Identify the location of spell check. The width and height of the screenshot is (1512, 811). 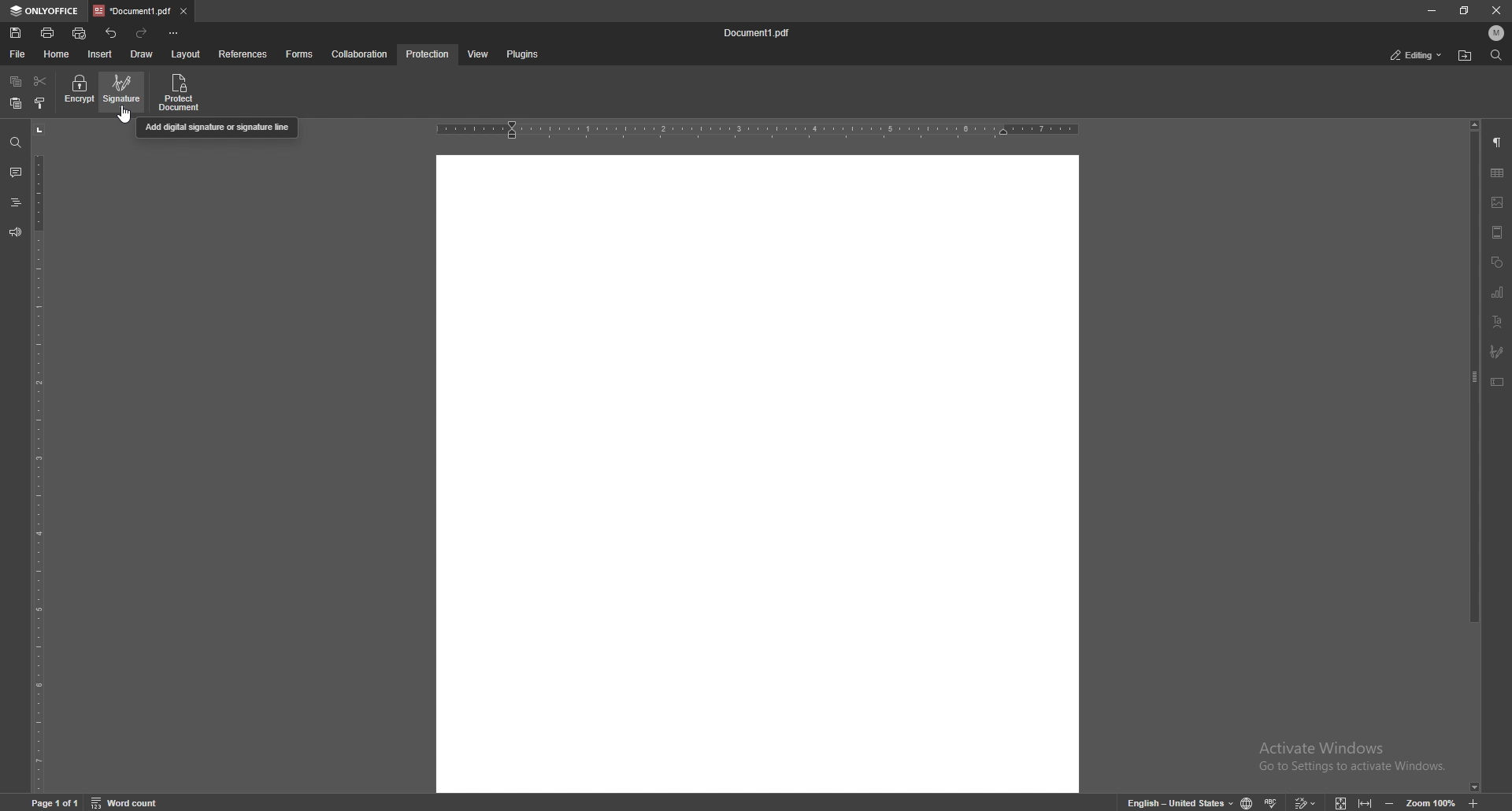
(1273, 799).